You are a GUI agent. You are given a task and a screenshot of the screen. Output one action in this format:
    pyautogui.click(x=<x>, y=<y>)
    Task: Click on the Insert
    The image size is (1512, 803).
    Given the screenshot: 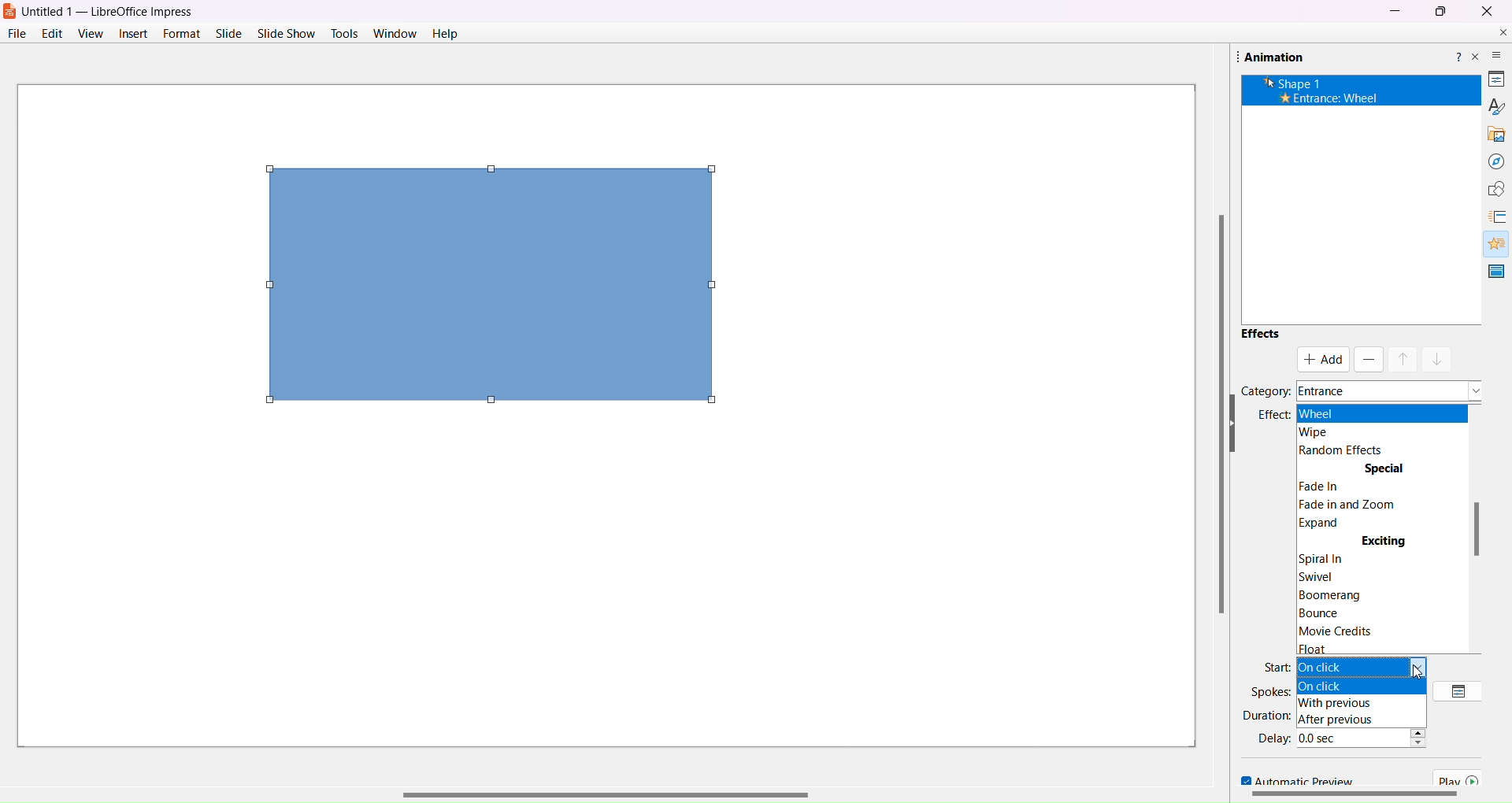 What is the action you would take?
    pyautogui.click(x=132, y=33)
    